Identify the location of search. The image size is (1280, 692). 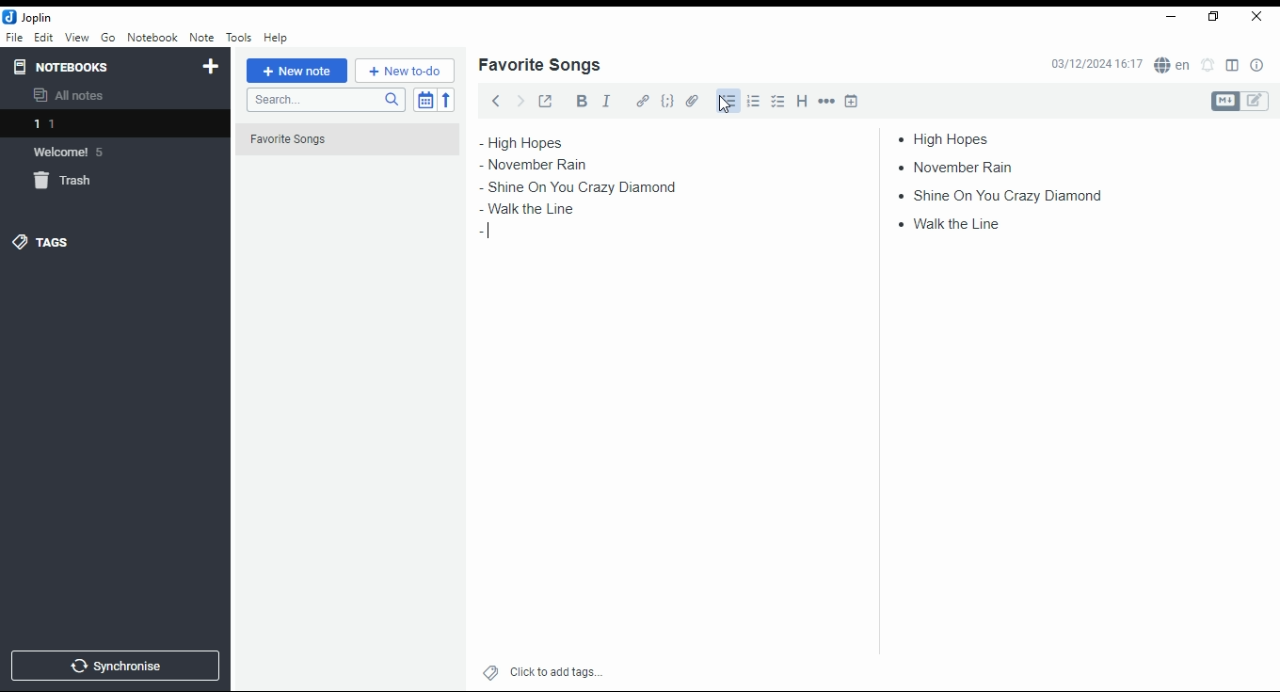
(325, 100).